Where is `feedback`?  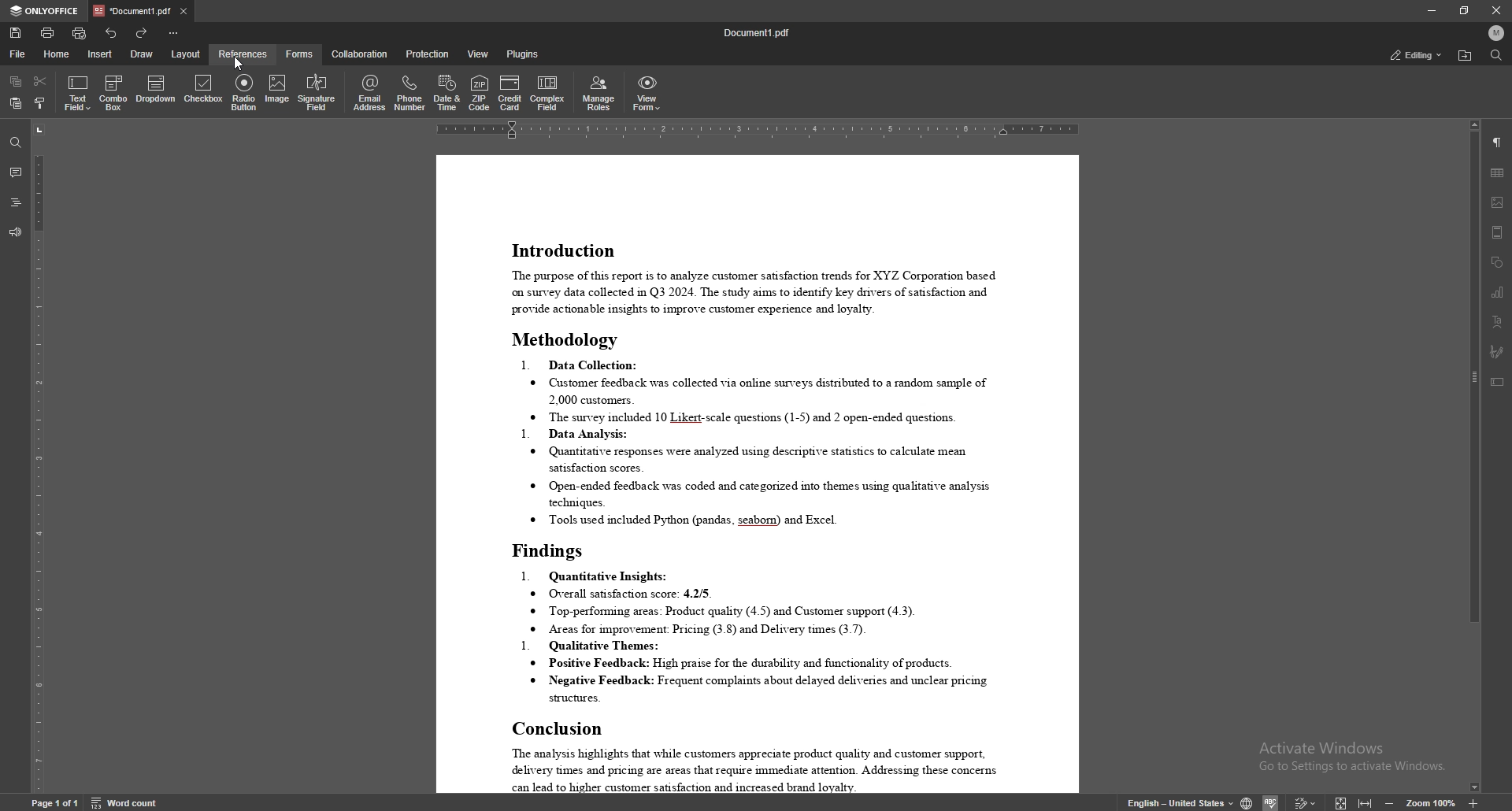
feedback is located at coordinates (16, 232).